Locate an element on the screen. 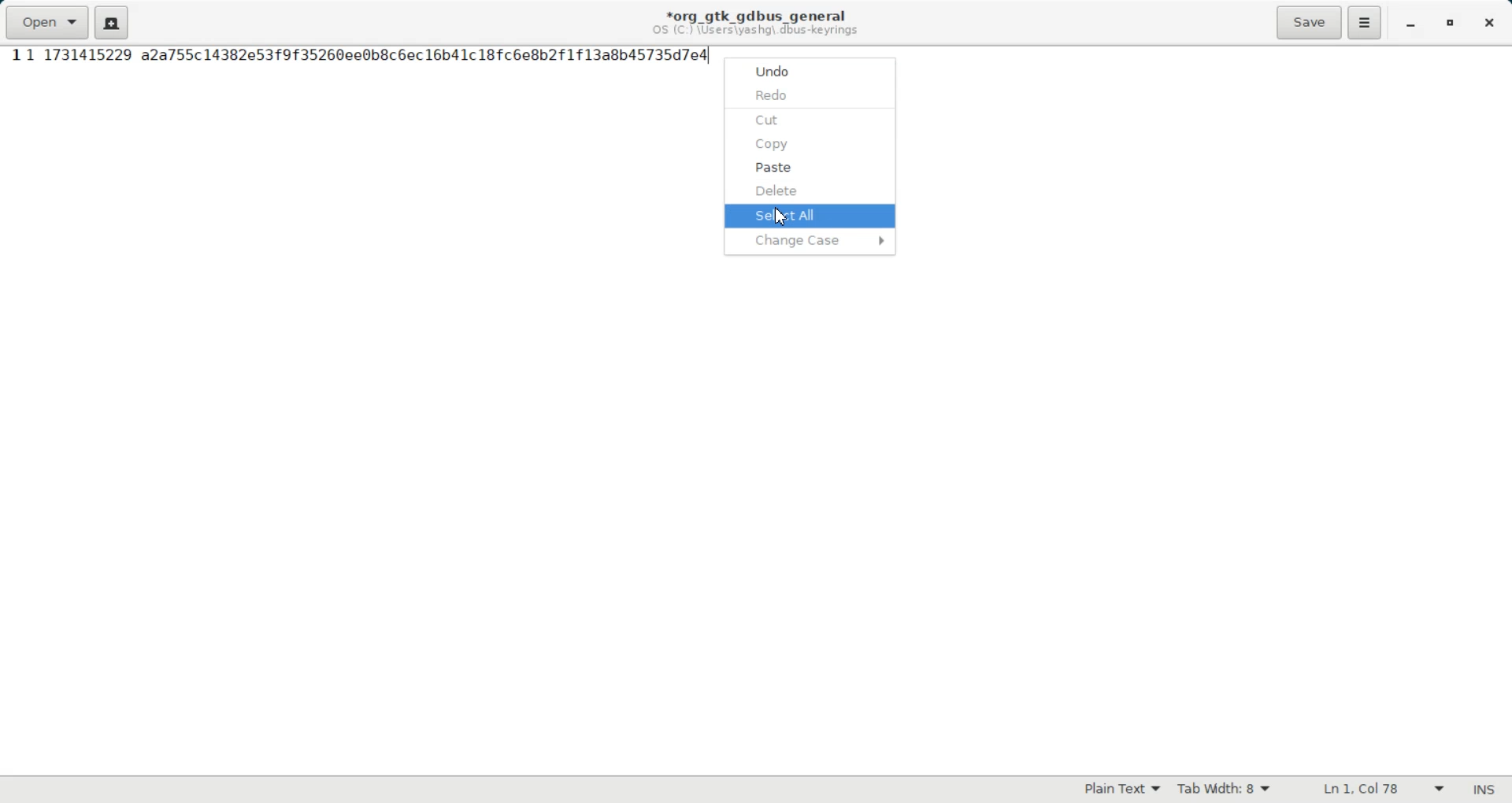 This screenshot has height=803, width=1512. Undo is located at coordinates (810, 71).